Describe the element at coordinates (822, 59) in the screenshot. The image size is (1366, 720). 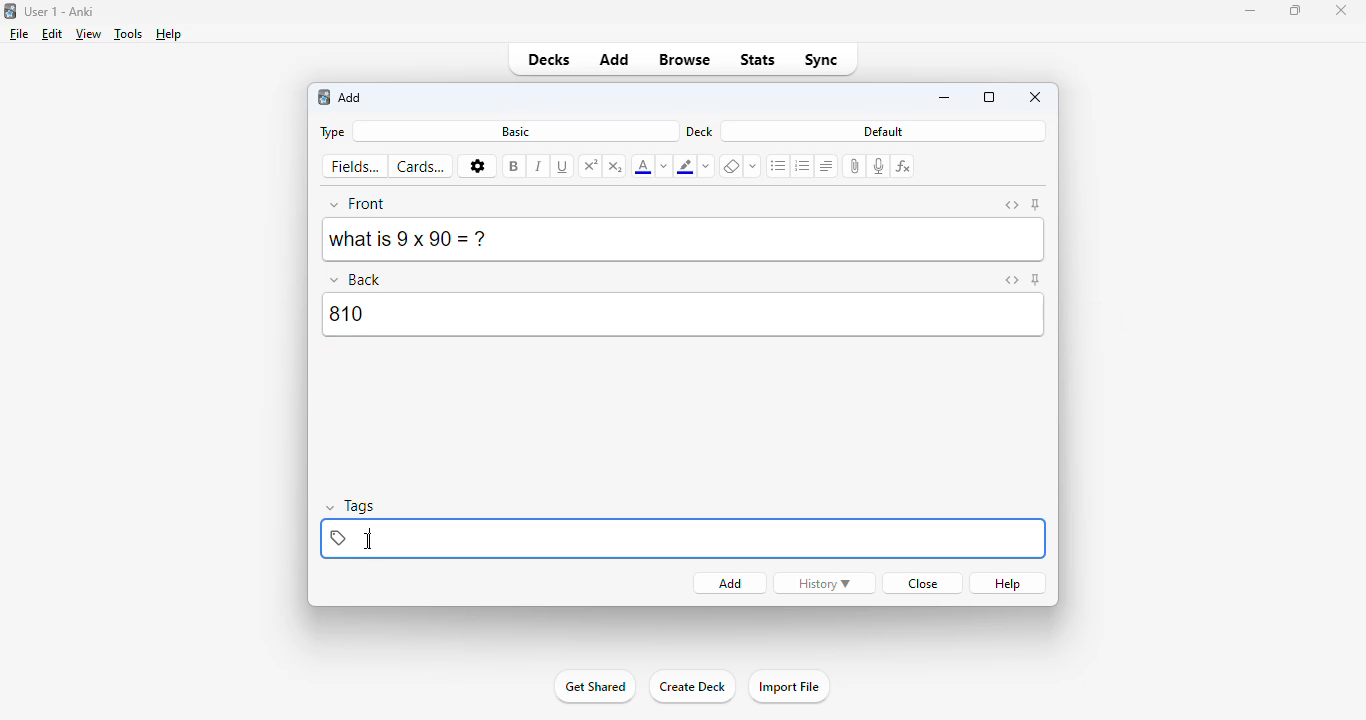
I see `sync` at that location.